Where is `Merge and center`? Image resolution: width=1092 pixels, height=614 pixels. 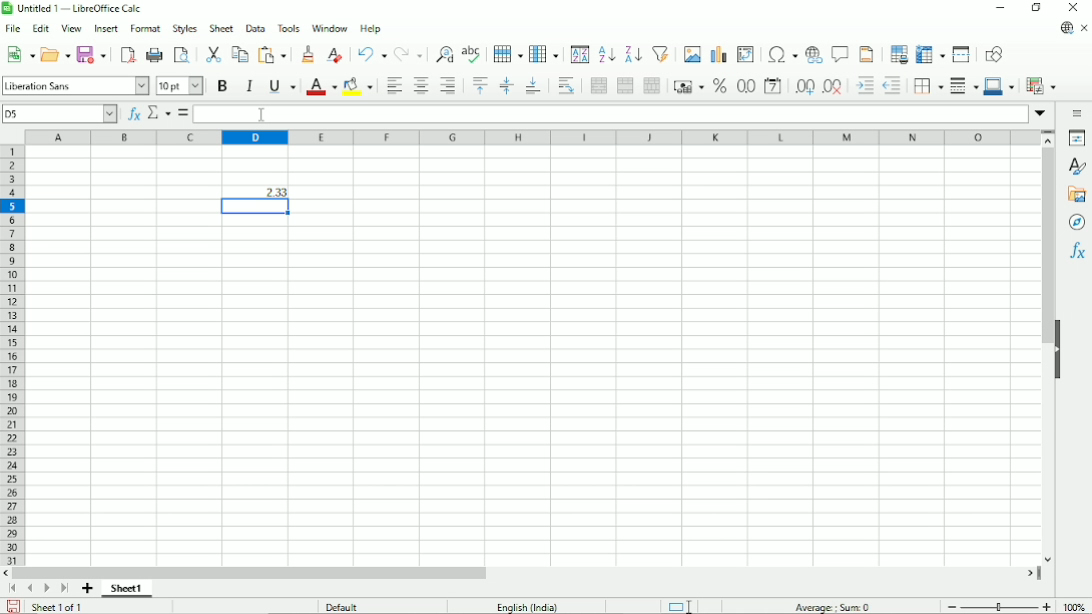
Merge and center is located at coordinates (599, 85).